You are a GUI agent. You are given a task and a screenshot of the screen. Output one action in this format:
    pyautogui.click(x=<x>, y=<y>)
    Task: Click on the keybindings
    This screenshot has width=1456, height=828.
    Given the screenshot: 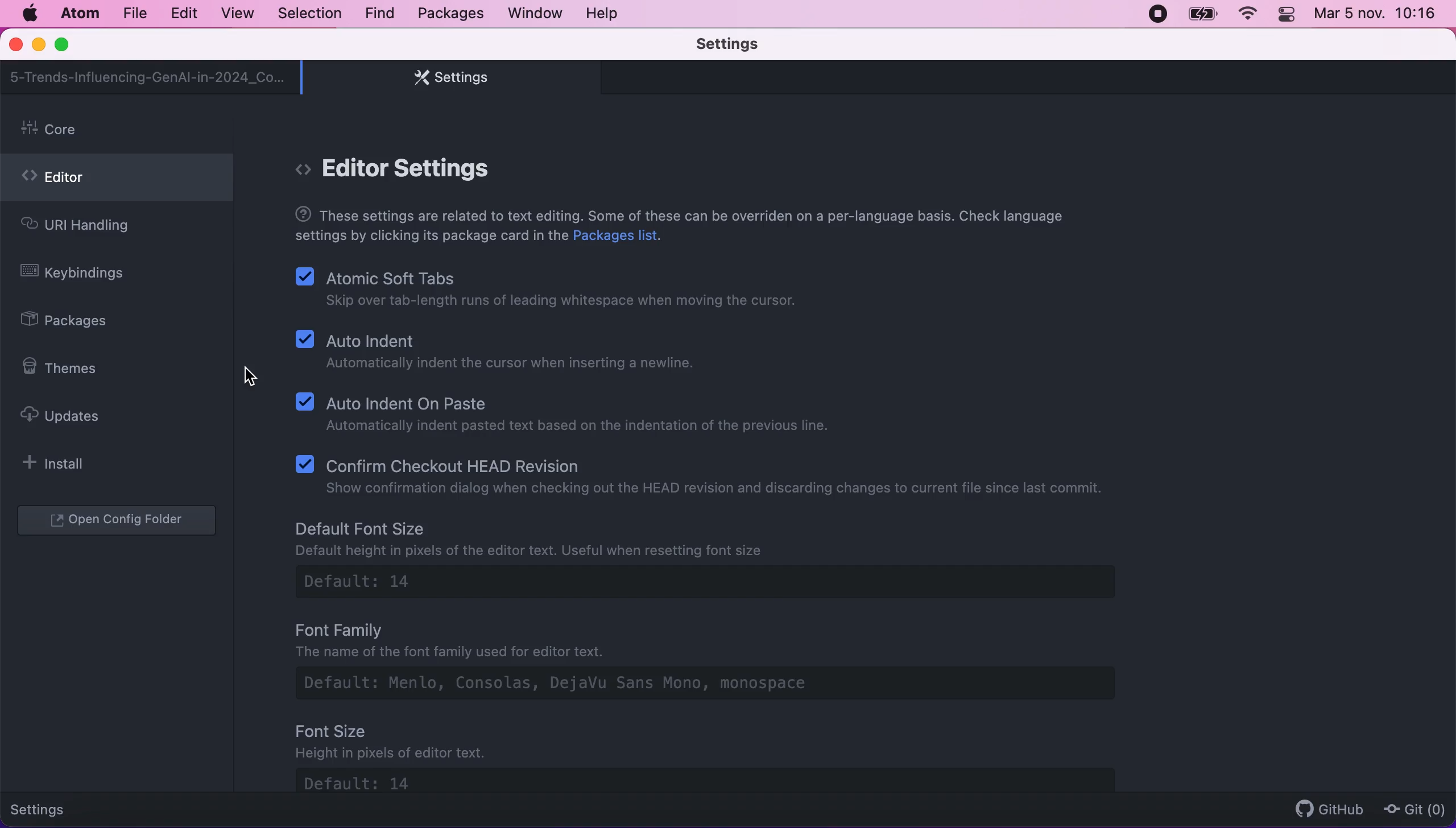 What is the action you would take?
    pyautogui.click(x=81, y=275)
    